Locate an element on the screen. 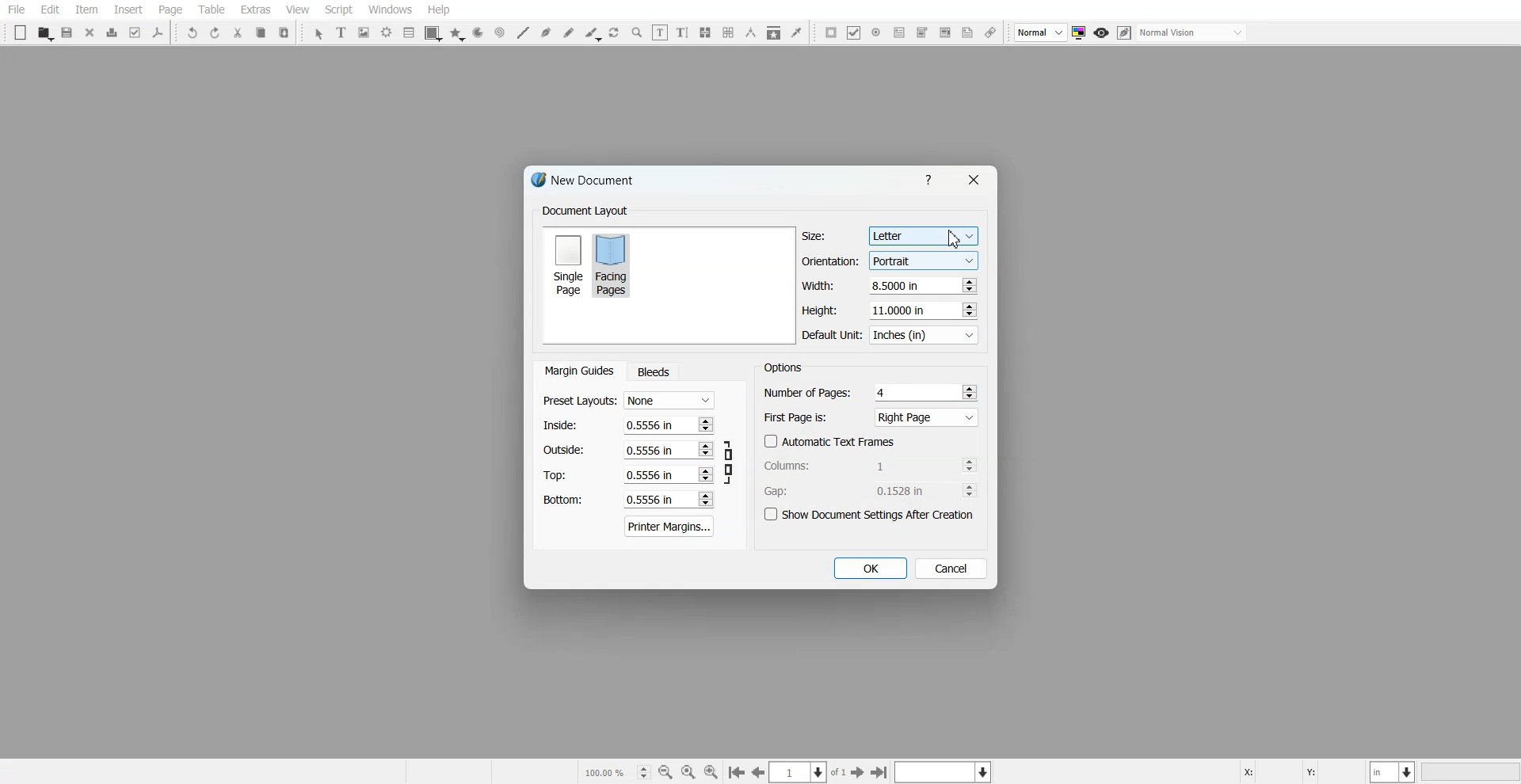  Select image preview Quality is located at coordinates (1041, 32).